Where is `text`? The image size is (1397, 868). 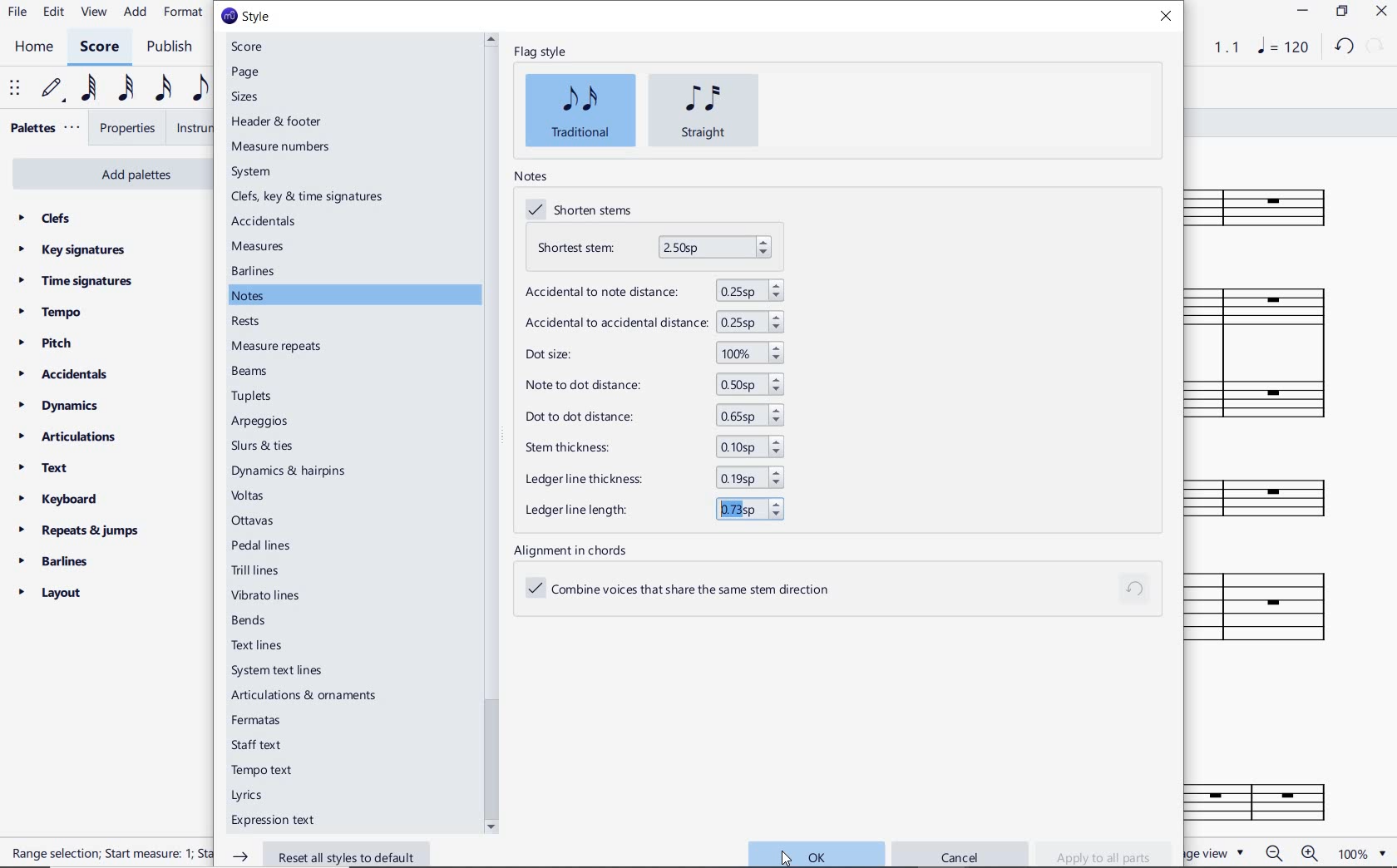 text is located at coordinates (43, 468).